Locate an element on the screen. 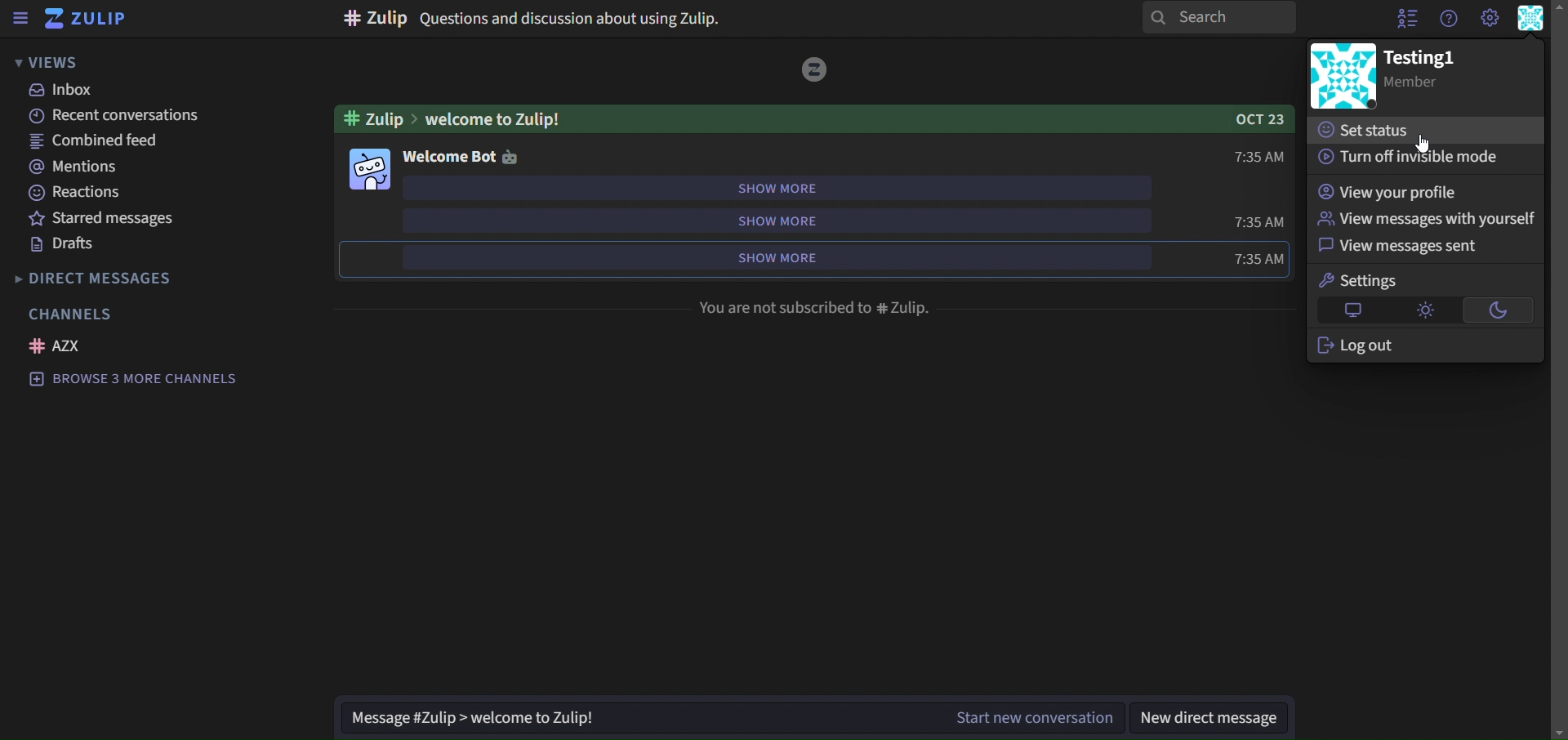 This screenshot has height=740, width=1568. AZX is located at coordinates (58, 345).